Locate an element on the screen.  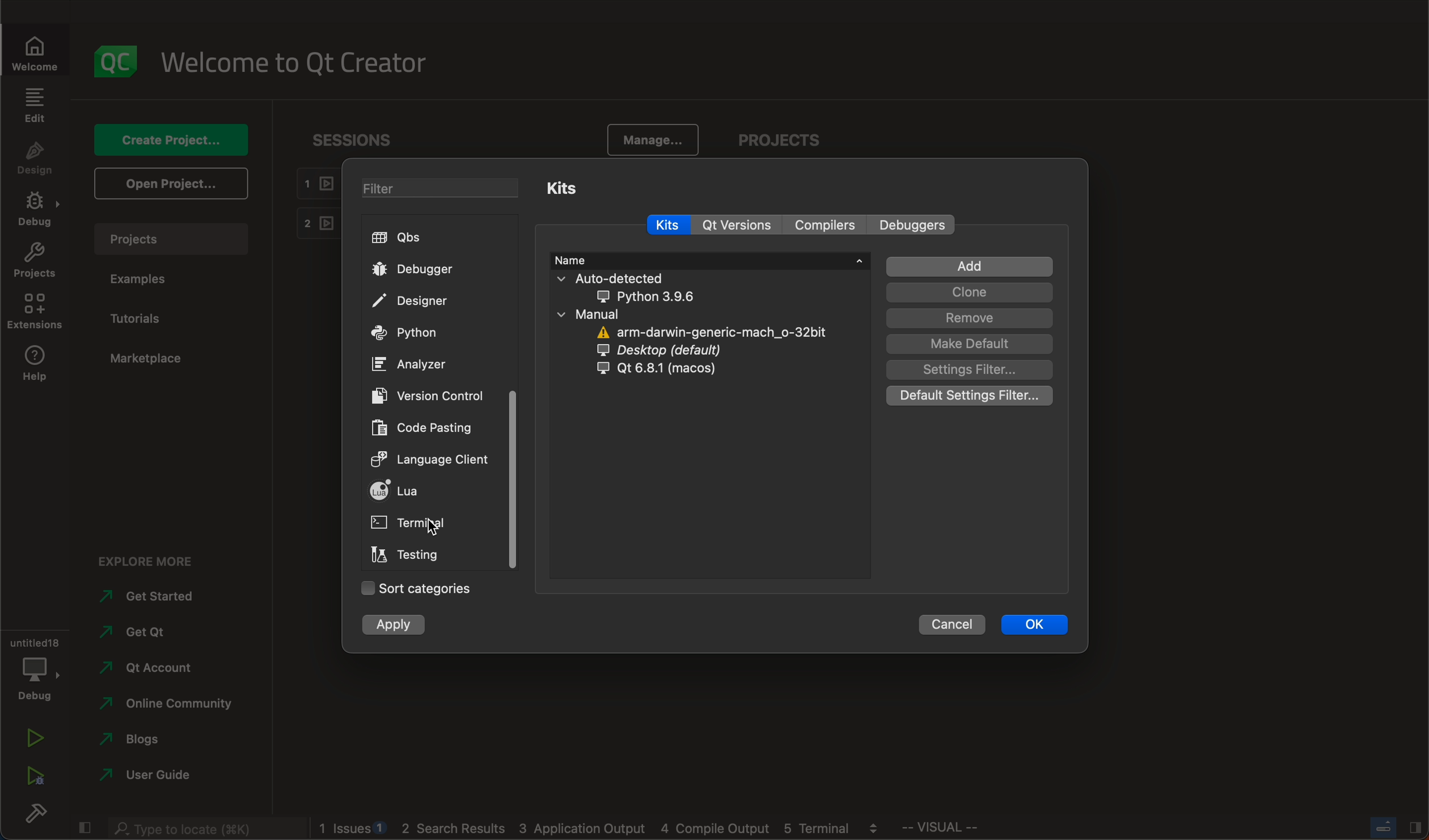
welcomw is located at coordinates (39, 46).